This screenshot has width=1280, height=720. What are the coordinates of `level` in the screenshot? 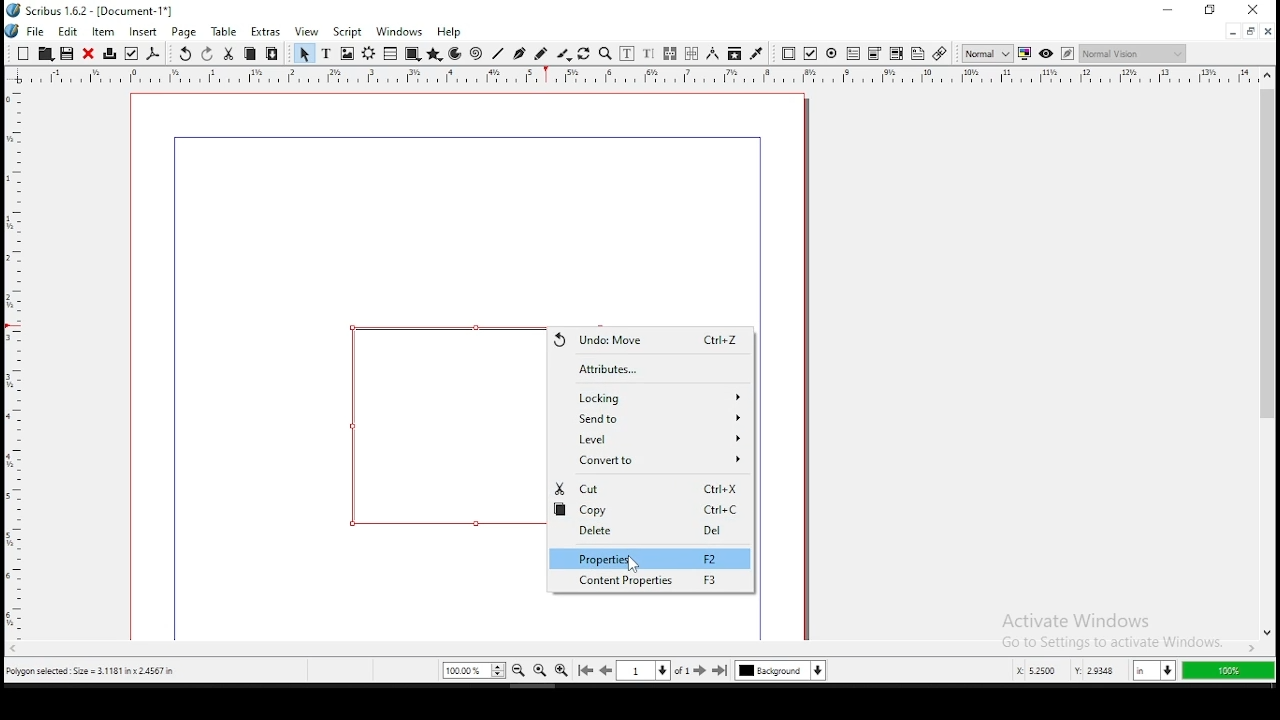 It's located at (651, 438).